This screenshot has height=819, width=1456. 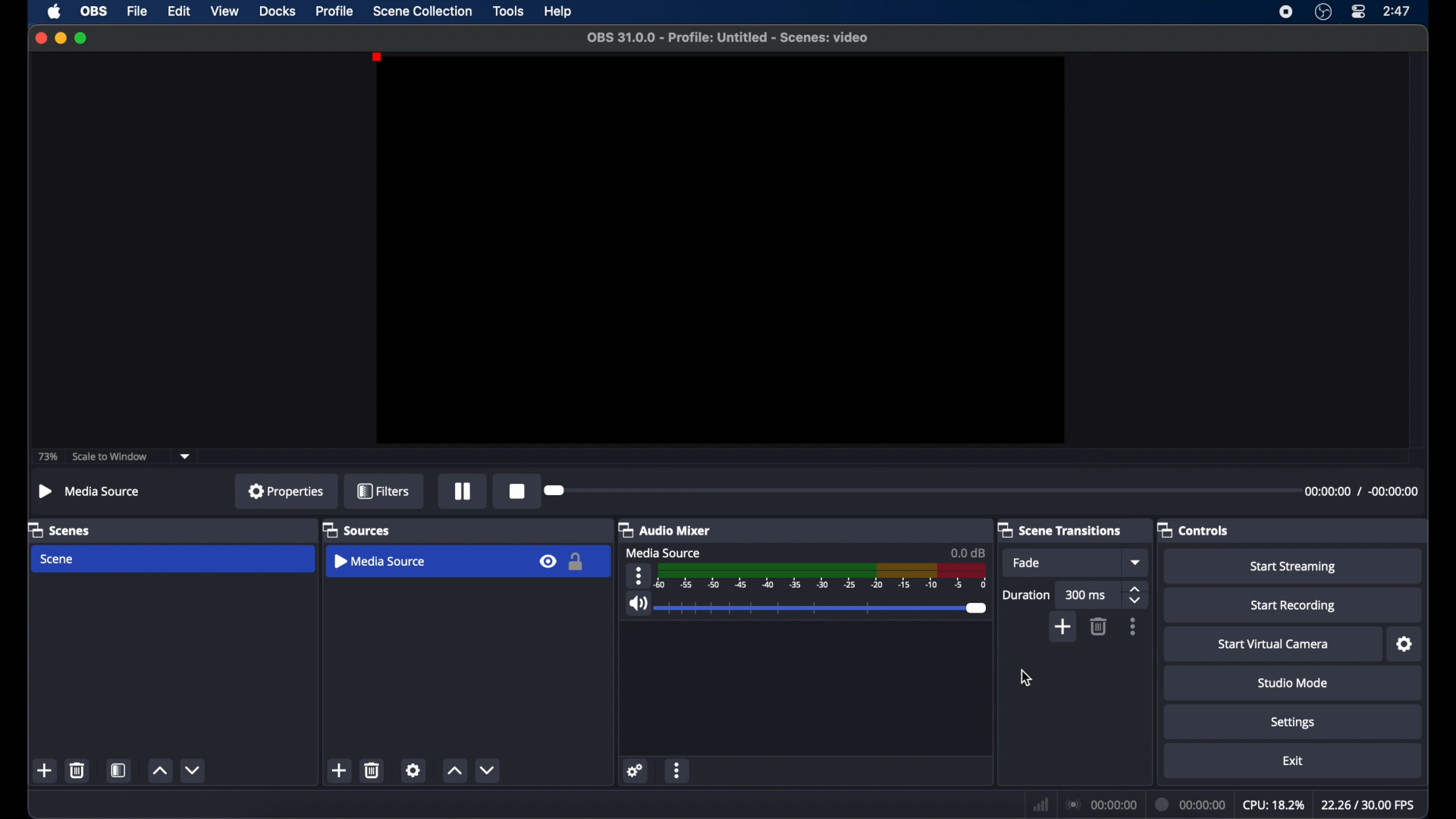 I want to click on preview, so click(x=717, y=249).